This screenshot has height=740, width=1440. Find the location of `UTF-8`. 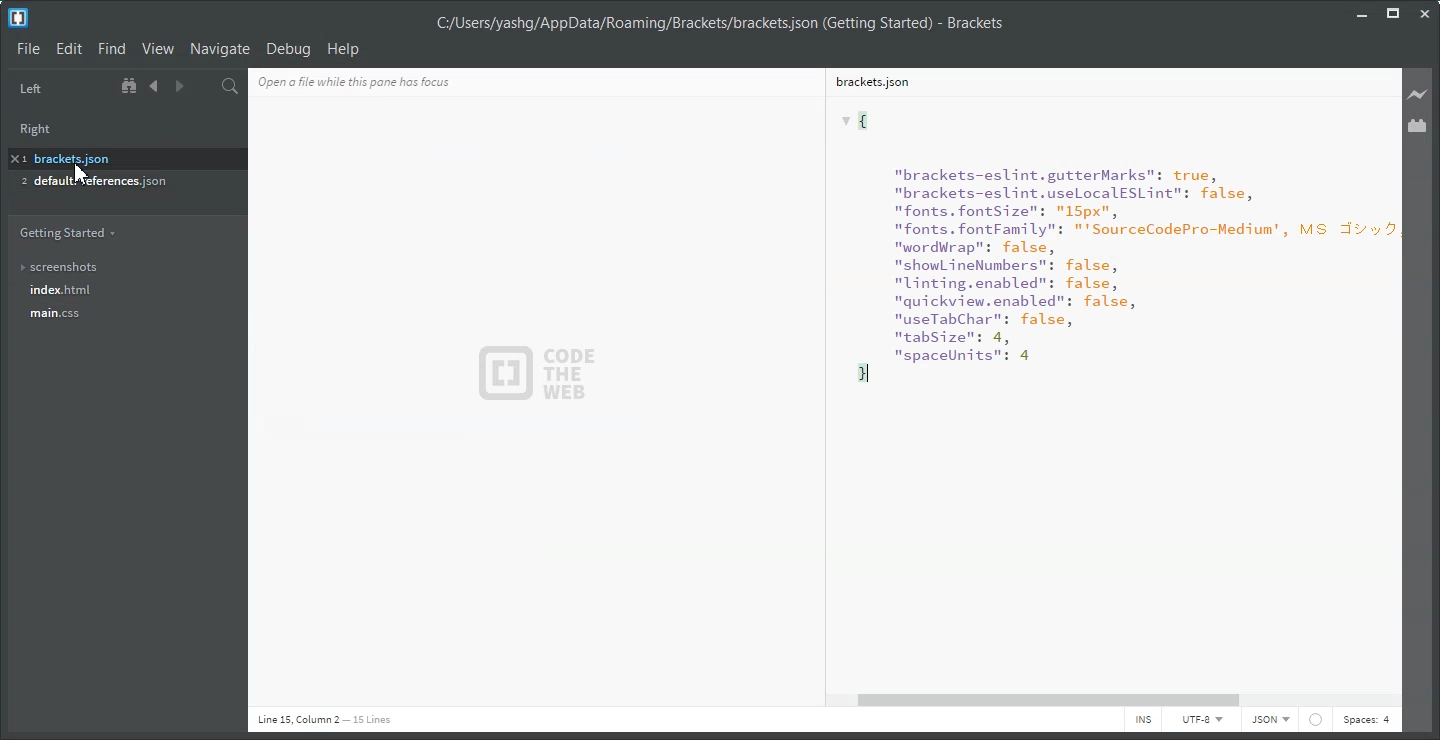

UTF-8 is located at coordinates (1201, 721).